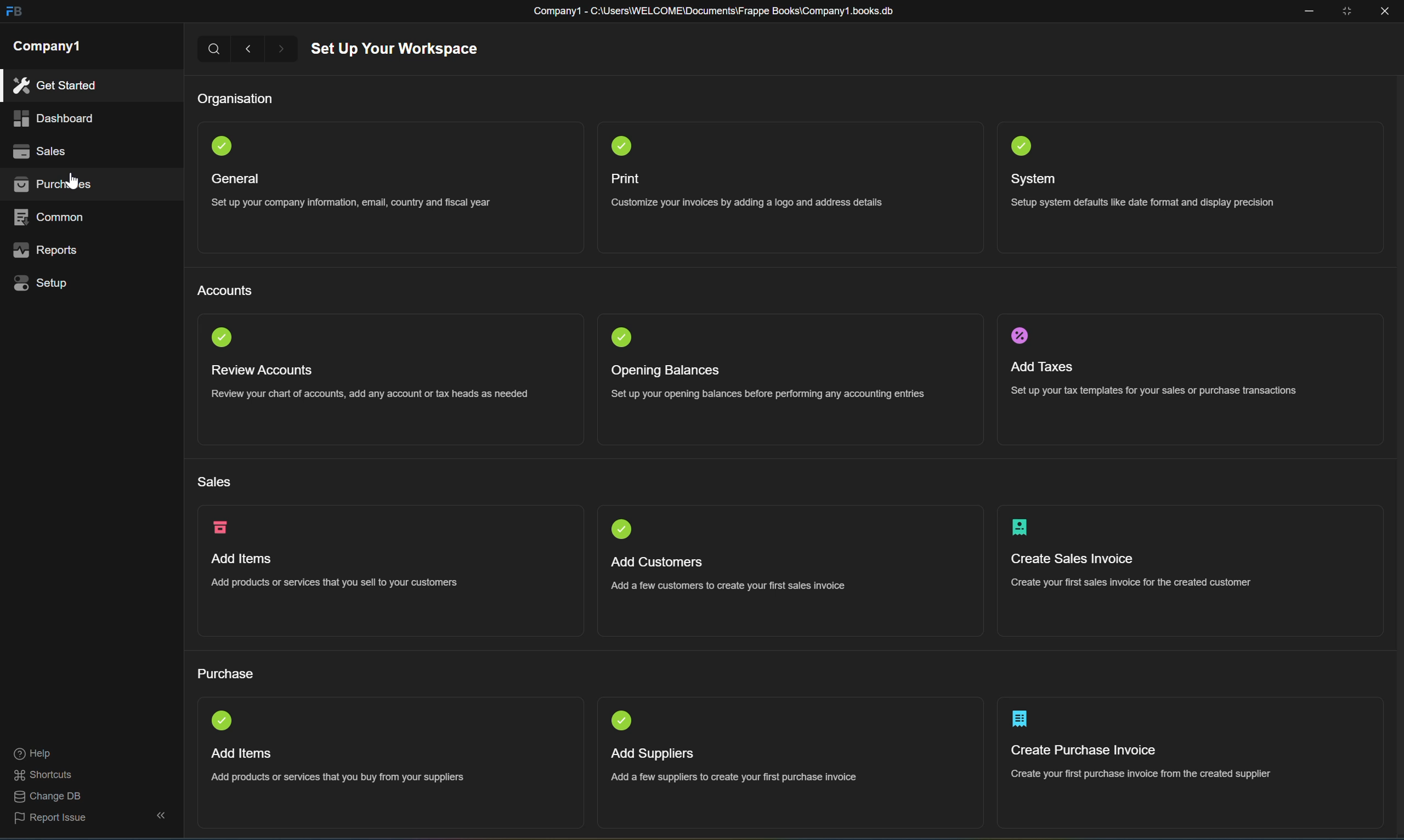 This screenshot has height=840, width=1404. What do you see at coordinates (221, 145) in the screenshot?
I see `logo` at bounding box center [221, 145].